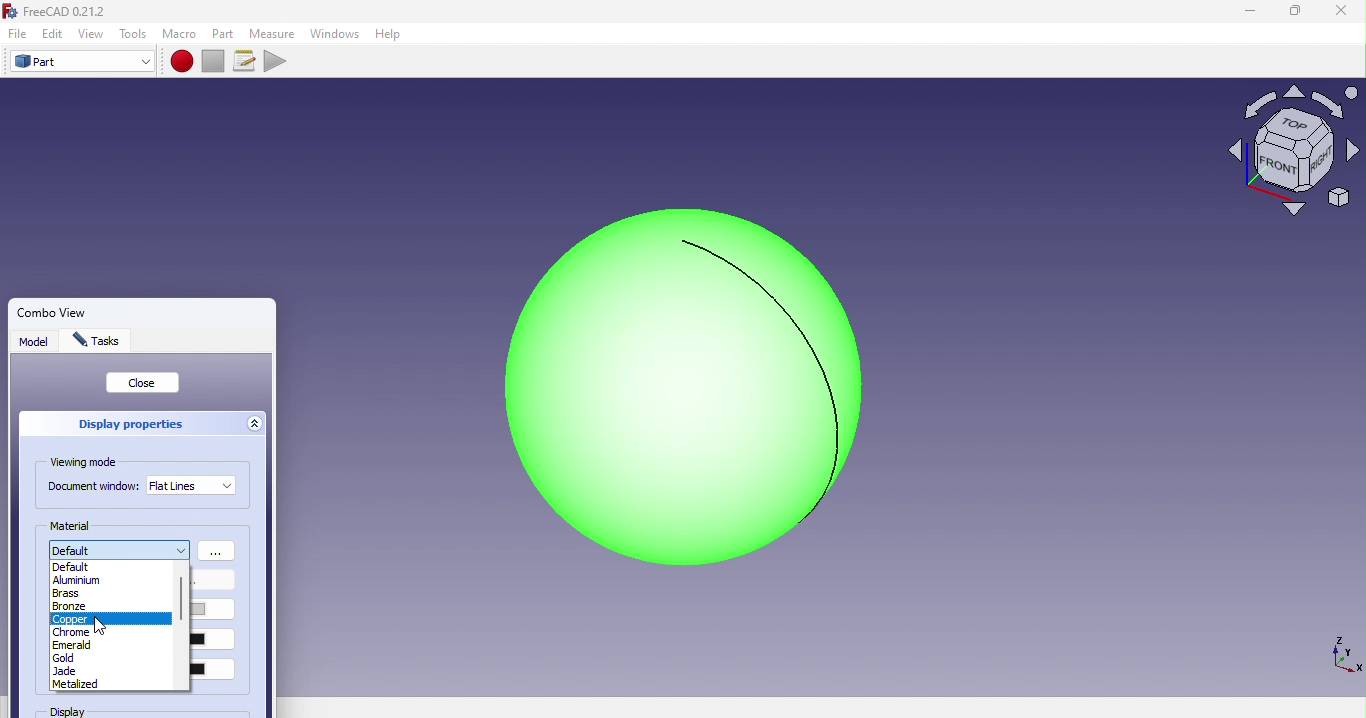 This screenshot has height=718, width=1366. Describe the element at coordinates (96, 712) in the screenshot. I see `Display` at that location.